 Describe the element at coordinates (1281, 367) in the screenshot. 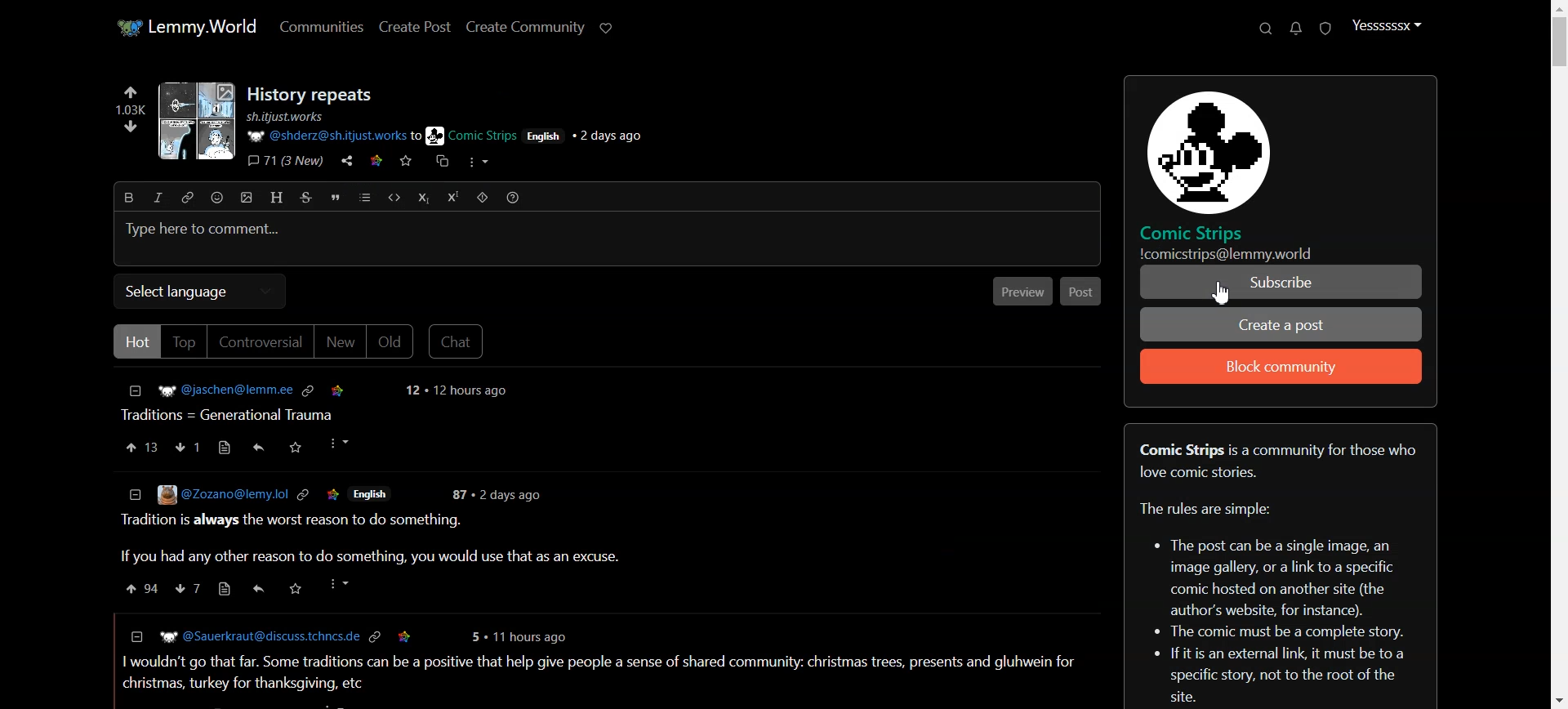

I see `block community` at that location.